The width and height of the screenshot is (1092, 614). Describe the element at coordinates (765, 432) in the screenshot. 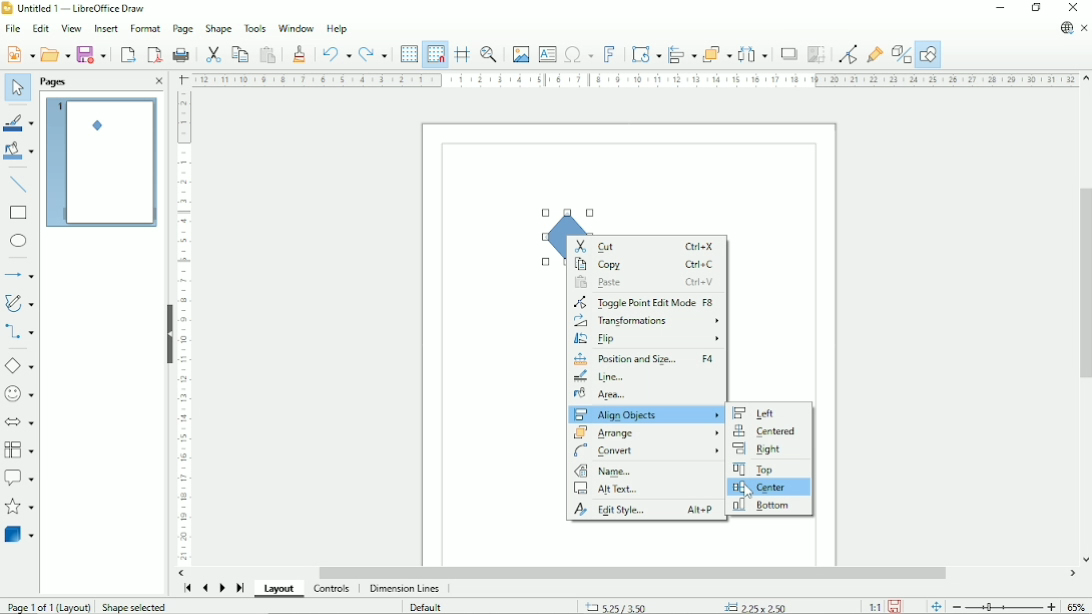

I see `Centered` at that location.